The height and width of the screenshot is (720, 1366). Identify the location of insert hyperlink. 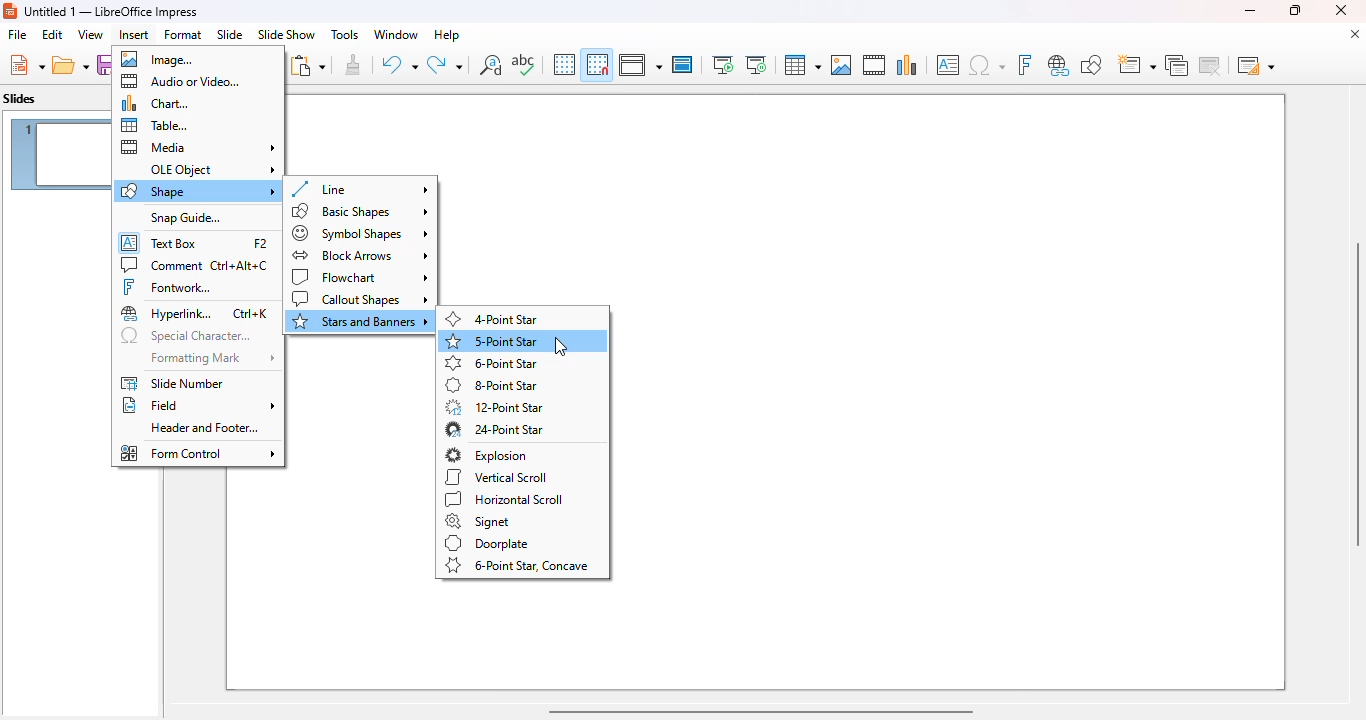
(1059, 65).